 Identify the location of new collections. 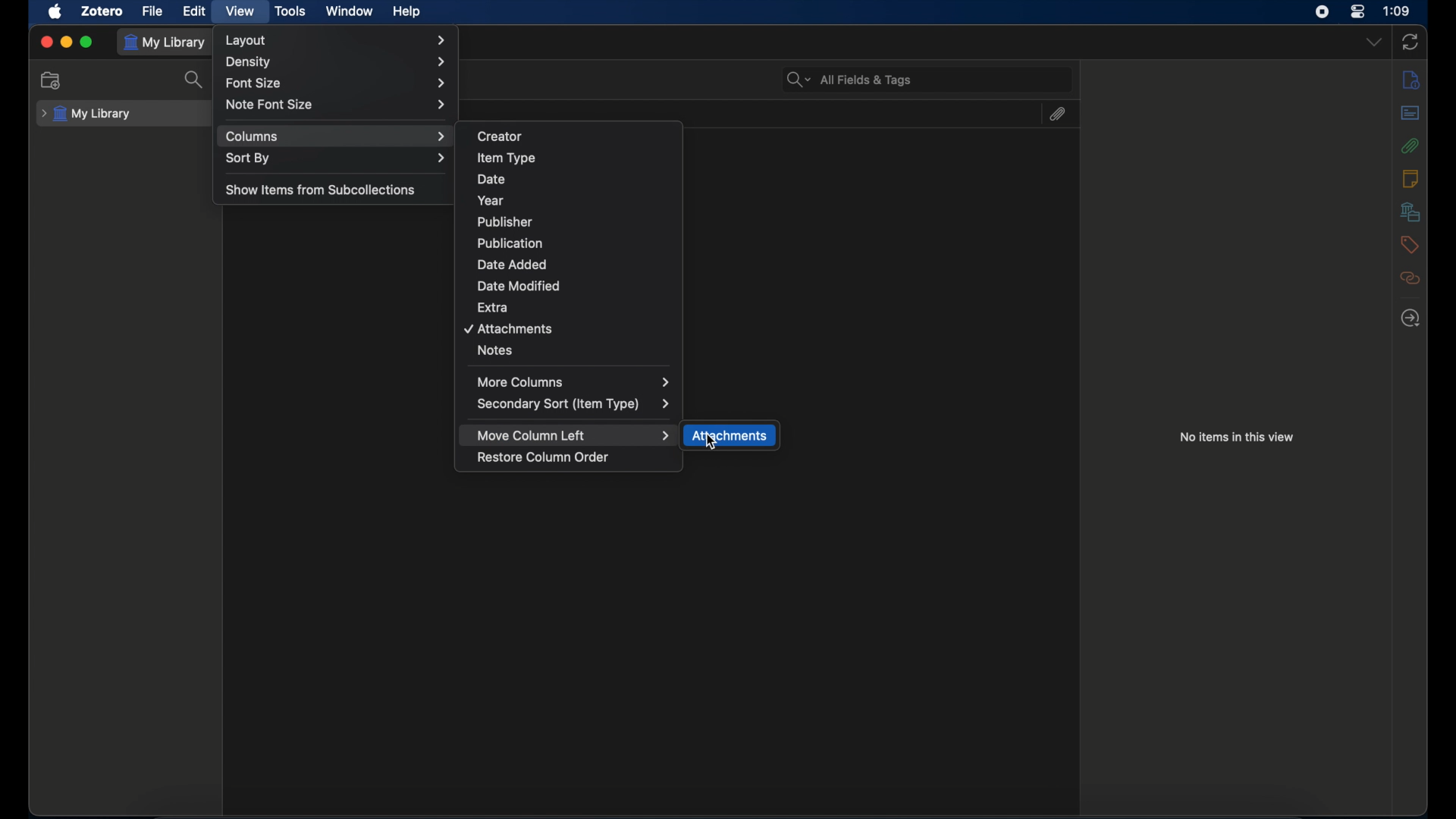
(53, 80).